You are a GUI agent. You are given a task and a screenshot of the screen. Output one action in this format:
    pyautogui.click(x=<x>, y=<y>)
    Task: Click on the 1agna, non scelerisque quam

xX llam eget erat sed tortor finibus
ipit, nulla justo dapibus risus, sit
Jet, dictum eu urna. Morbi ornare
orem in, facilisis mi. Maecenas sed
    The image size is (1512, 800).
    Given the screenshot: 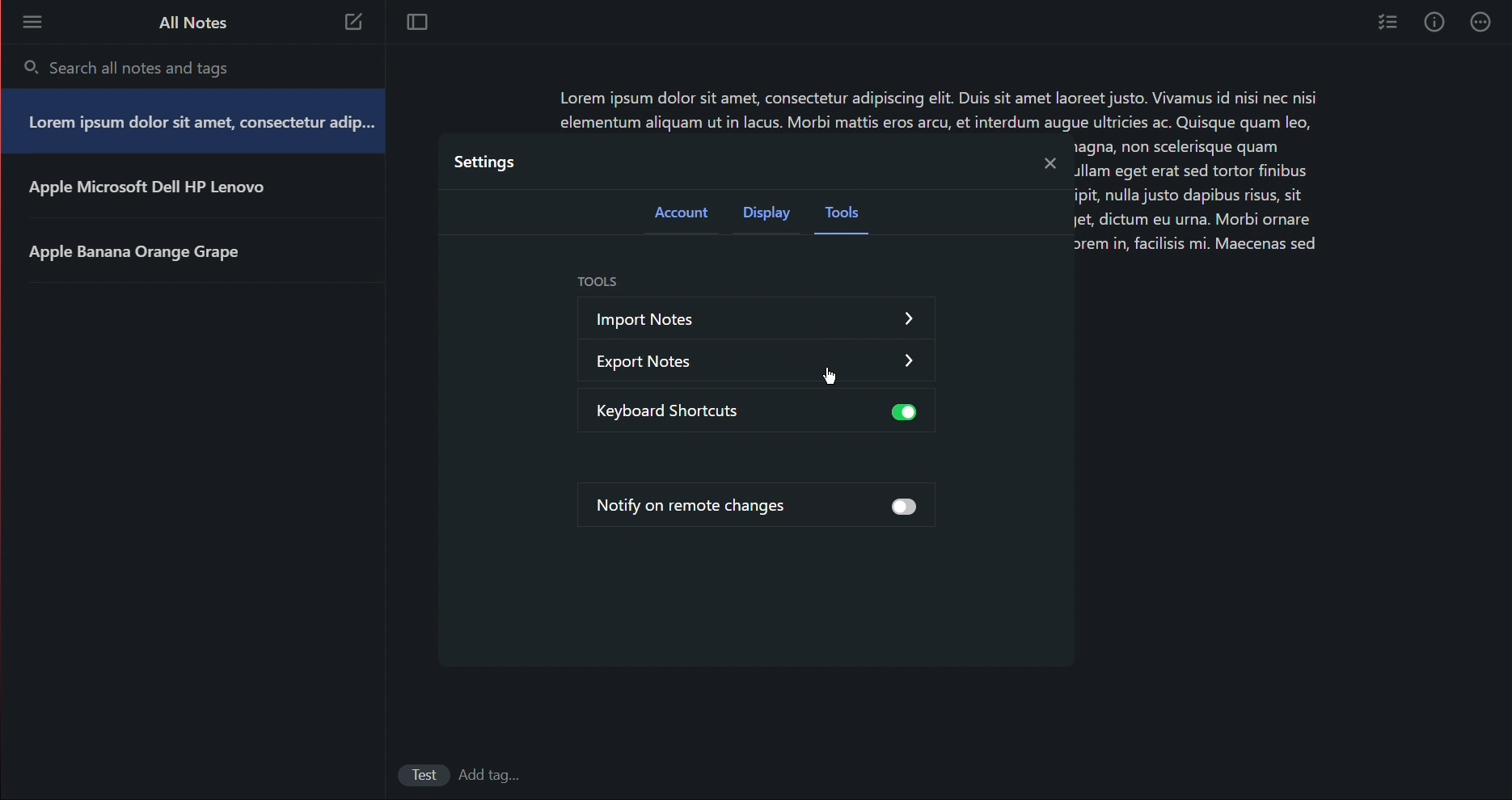 What is the action you would take?
    pyautogui.click(x=1200, y=201)
    